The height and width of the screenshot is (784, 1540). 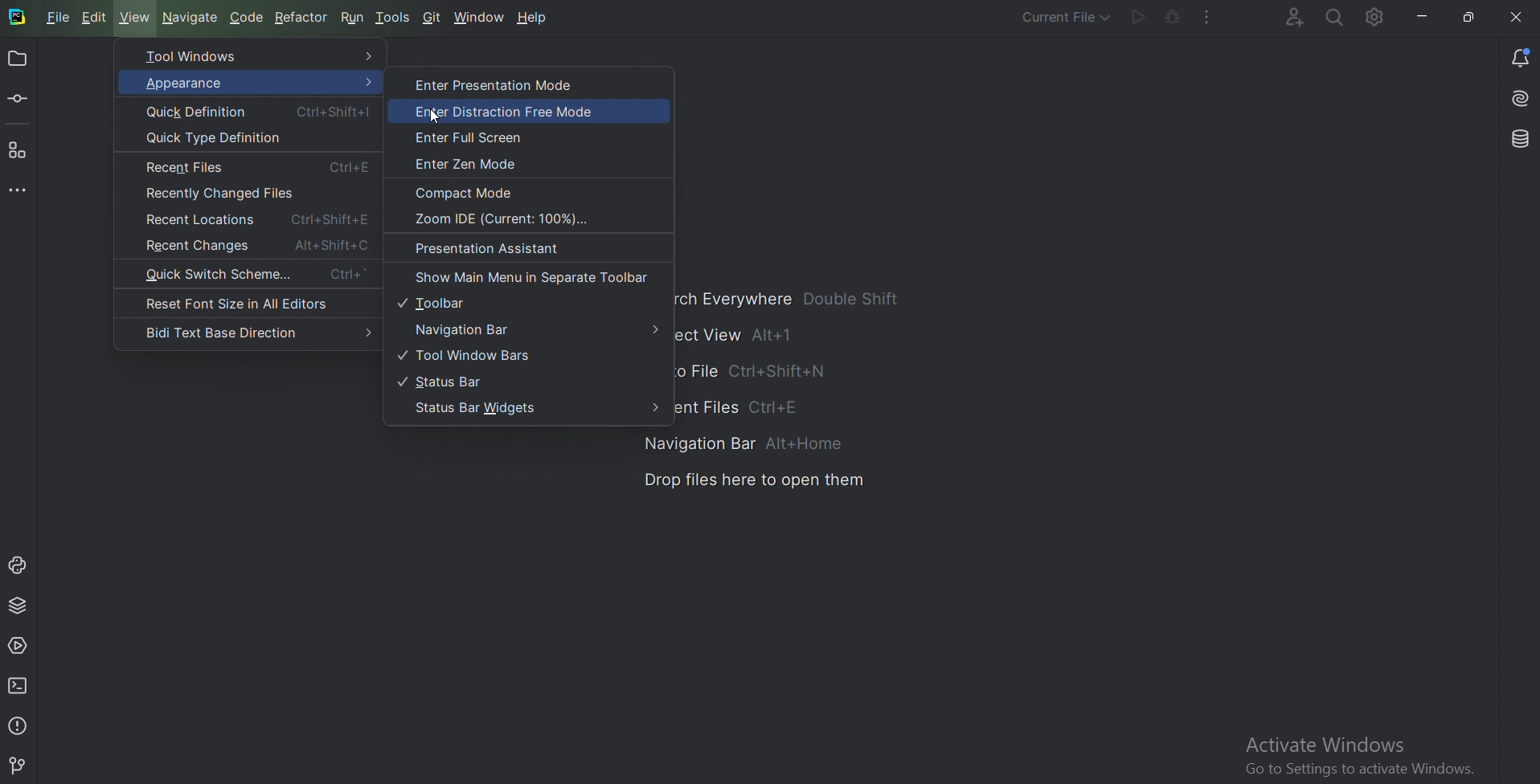 What do you see at coordinates (470, 191) in the screenshot?
I see `Compact mode` at bounding box center [470, 191].